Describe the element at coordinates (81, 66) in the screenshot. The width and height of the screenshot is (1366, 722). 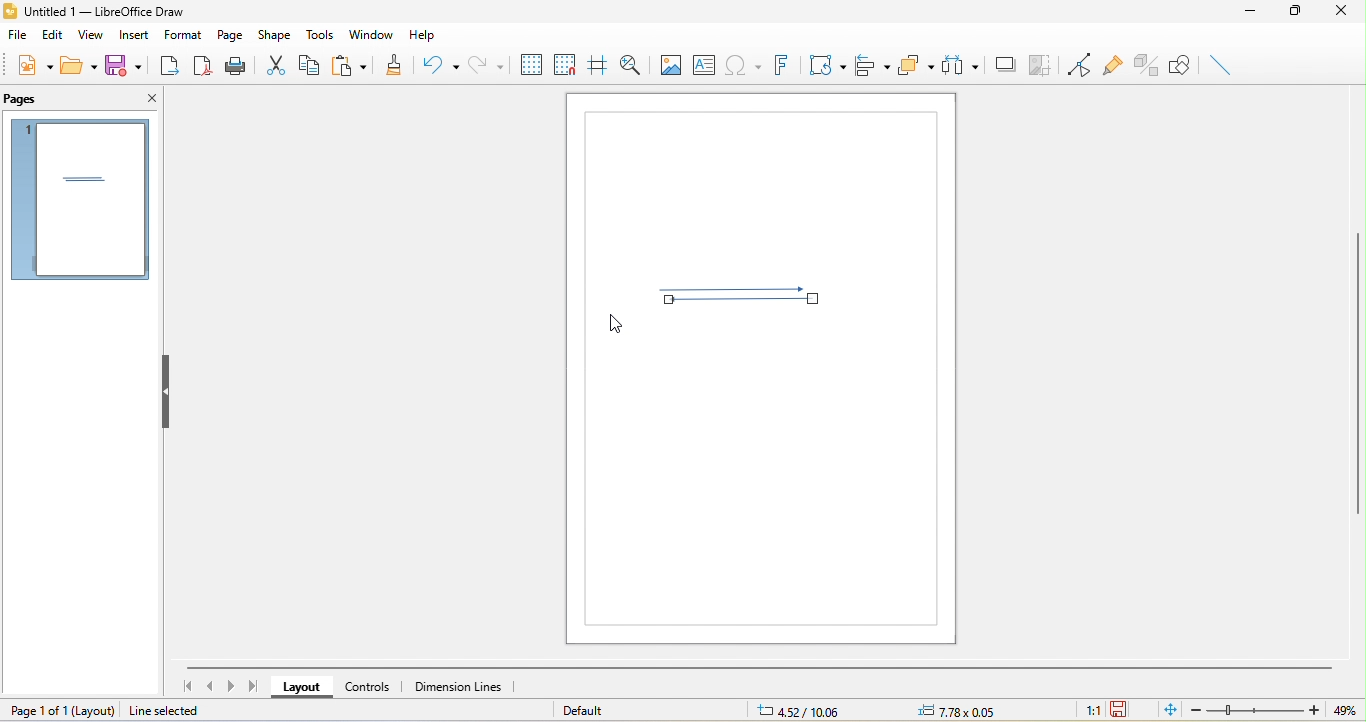
I see `open` at that location.